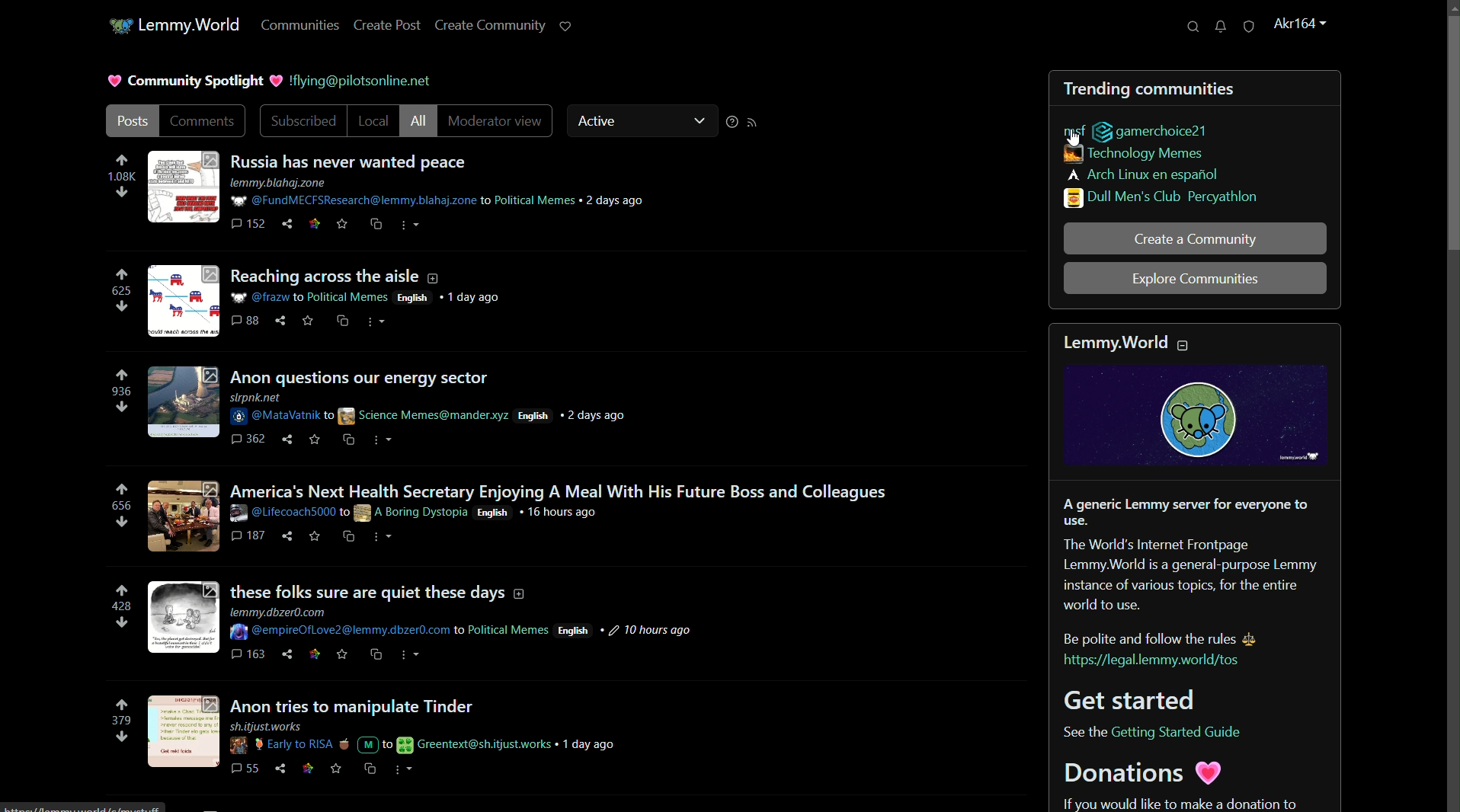 The height and width of the screenshot is (812, 1460). I want to click on number of votes, so click(119, 607).